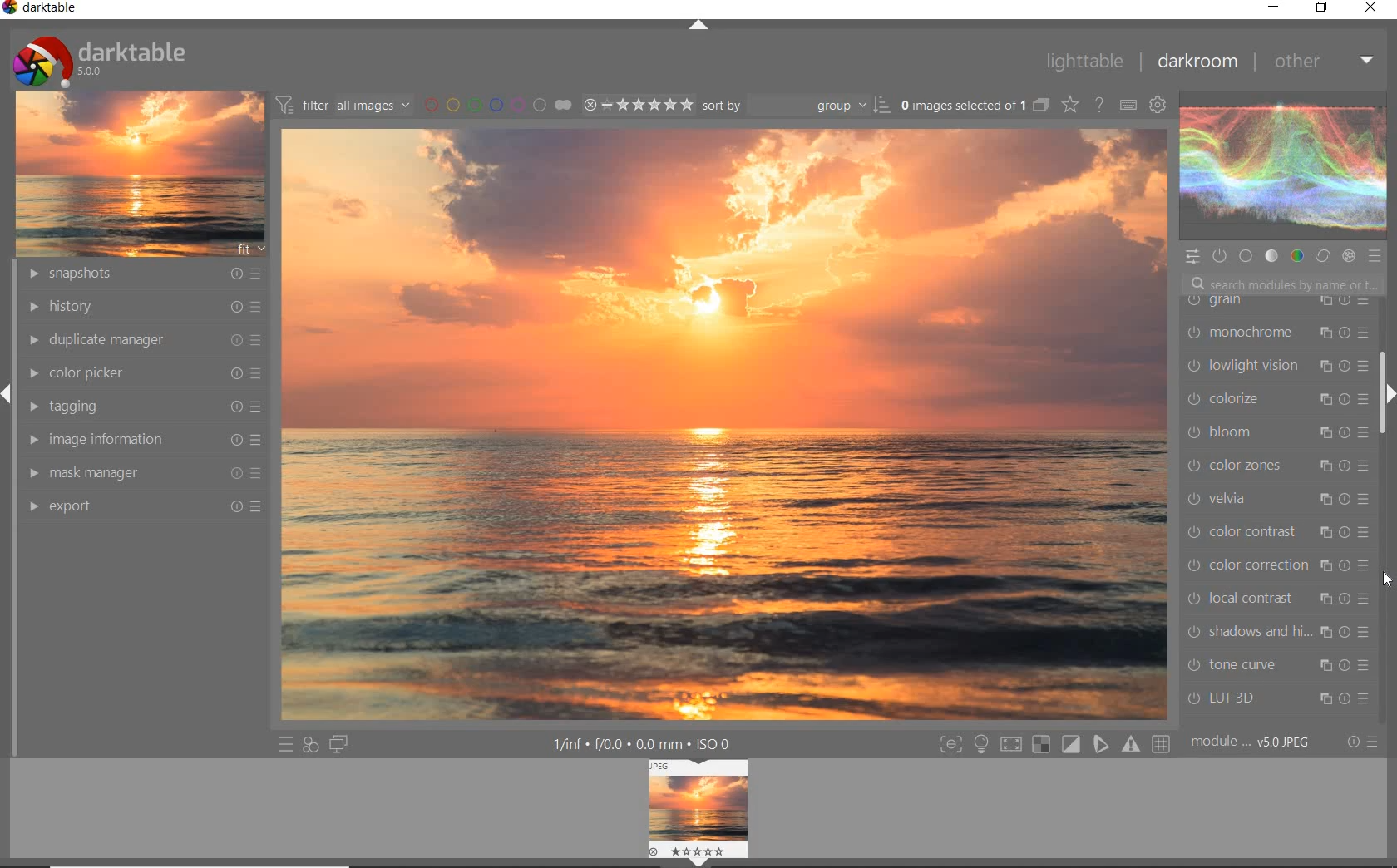  What do you see at coordinates (1387, 580) in the screenshot?
I see `CURSOR POSITION` at bounding box center [1387, 580].